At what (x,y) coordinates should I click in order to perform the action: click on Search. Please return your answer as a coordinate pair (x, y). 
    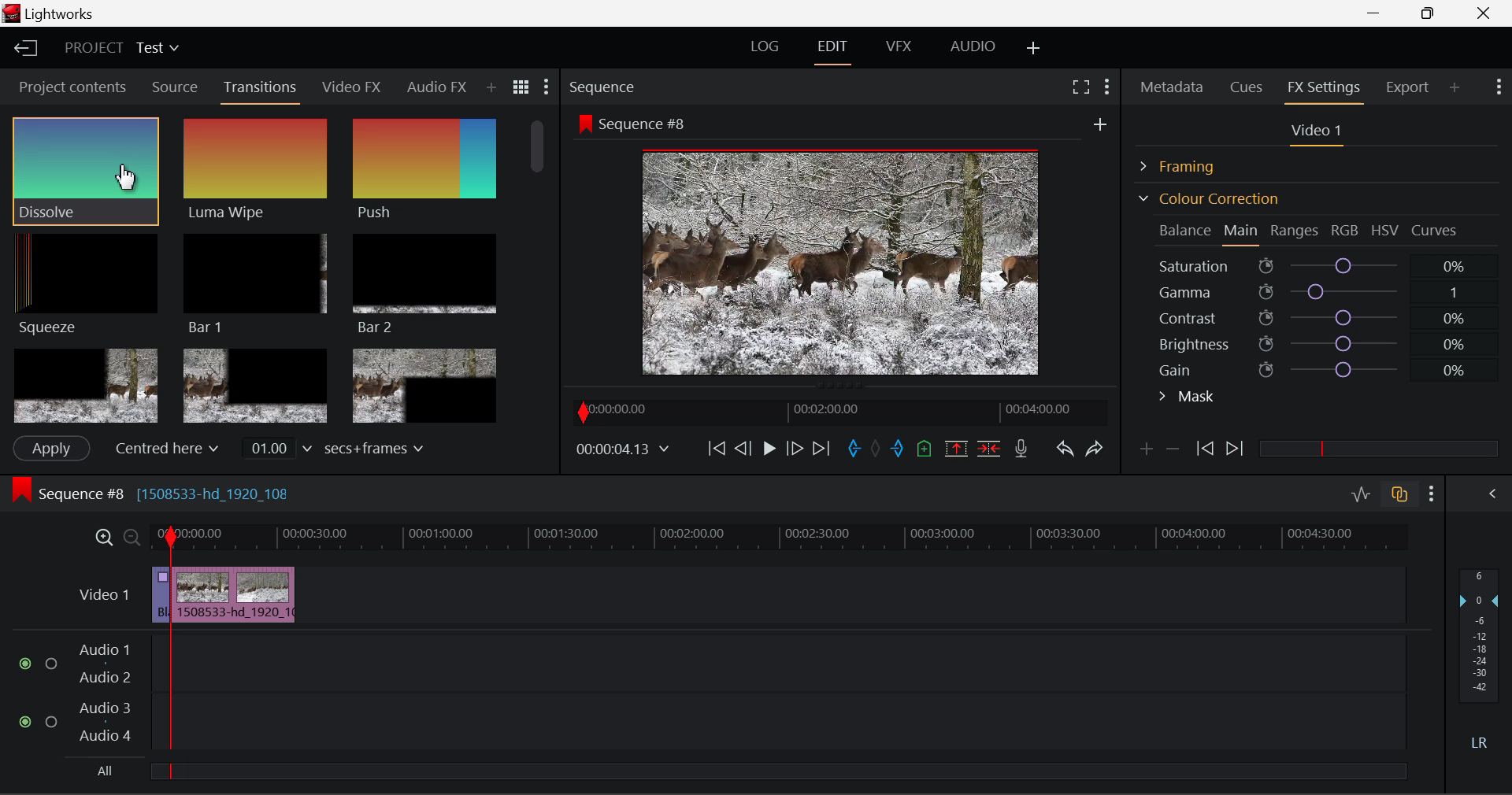
    Looking at the image, I should click on (496, 87).